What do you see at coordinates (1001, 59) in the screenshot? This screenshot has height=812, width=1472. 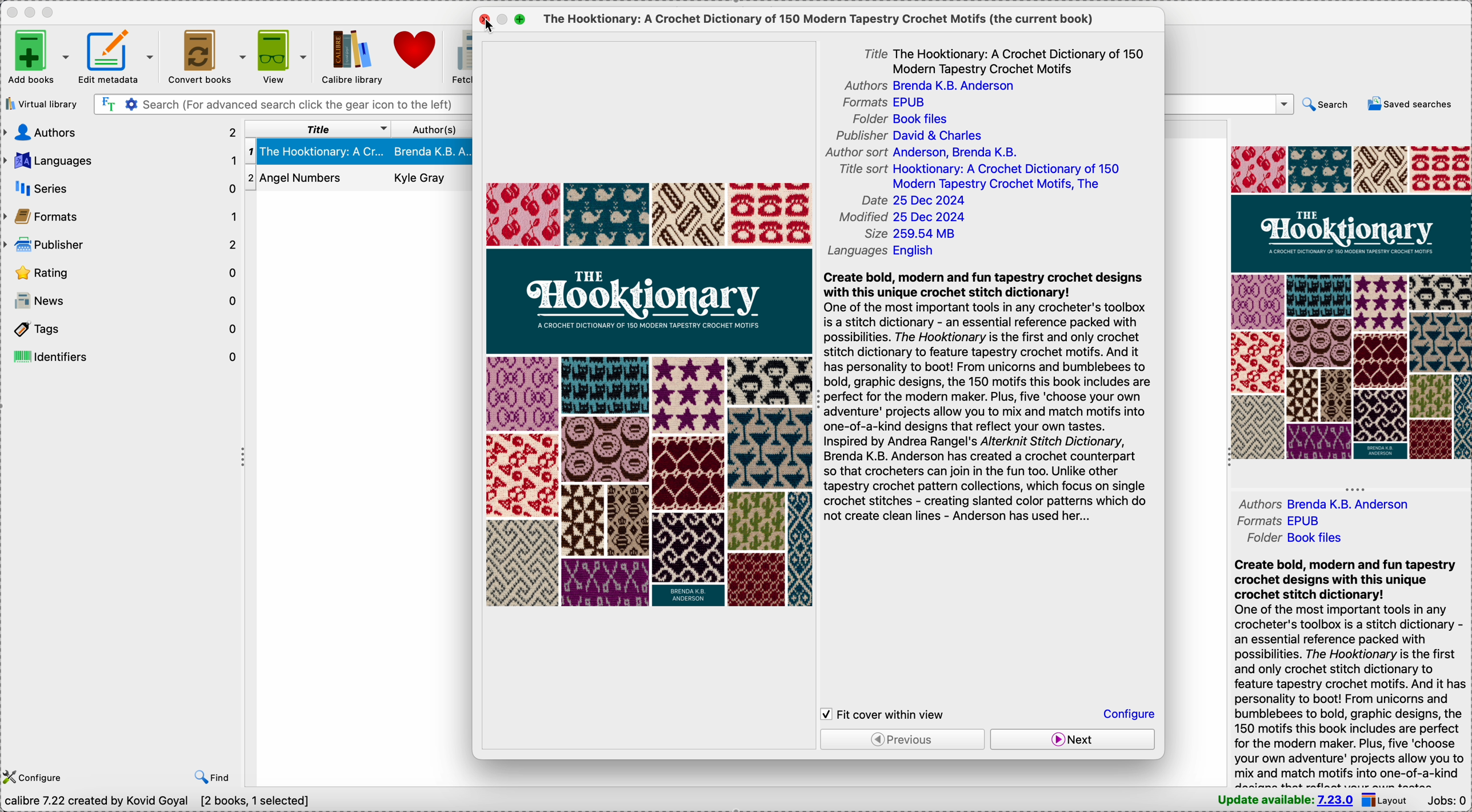 I see `title` at bounding box center [1001, 59].